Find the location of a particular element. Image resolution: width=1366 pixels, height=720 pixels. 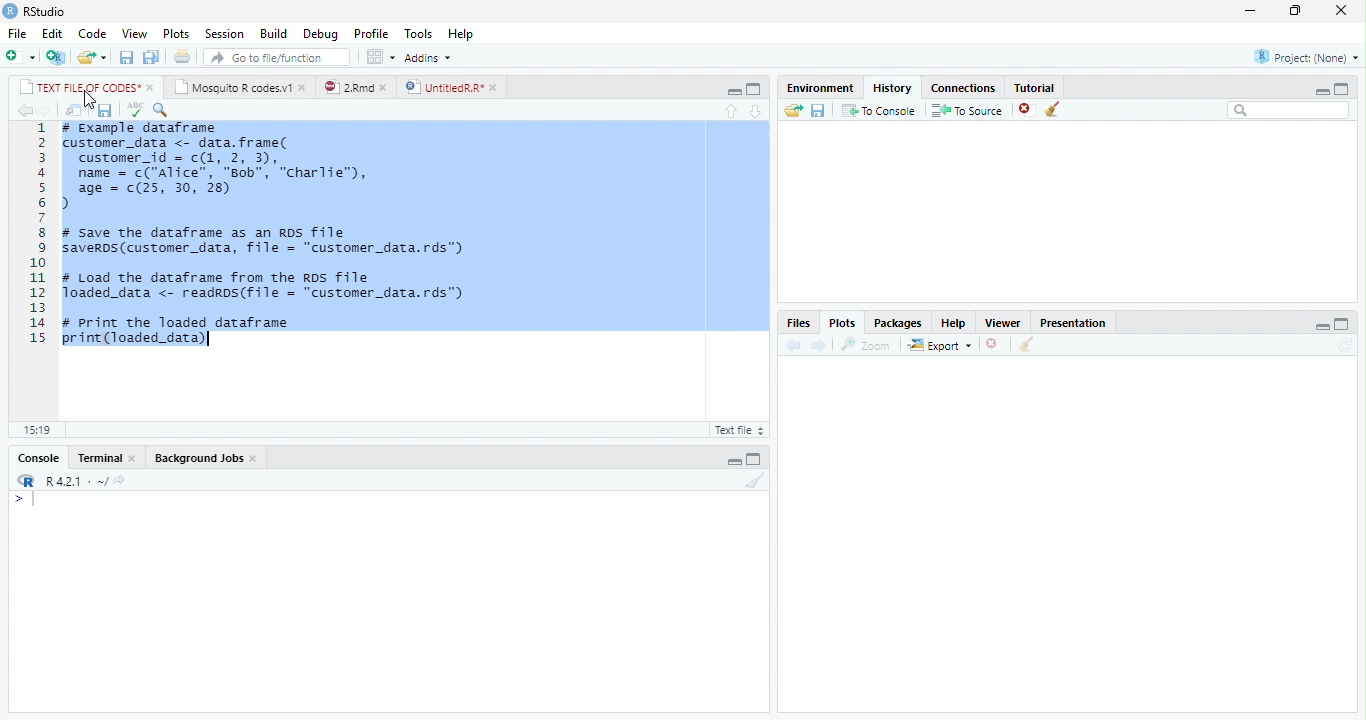

ABC is located at coordinates (135, 110).